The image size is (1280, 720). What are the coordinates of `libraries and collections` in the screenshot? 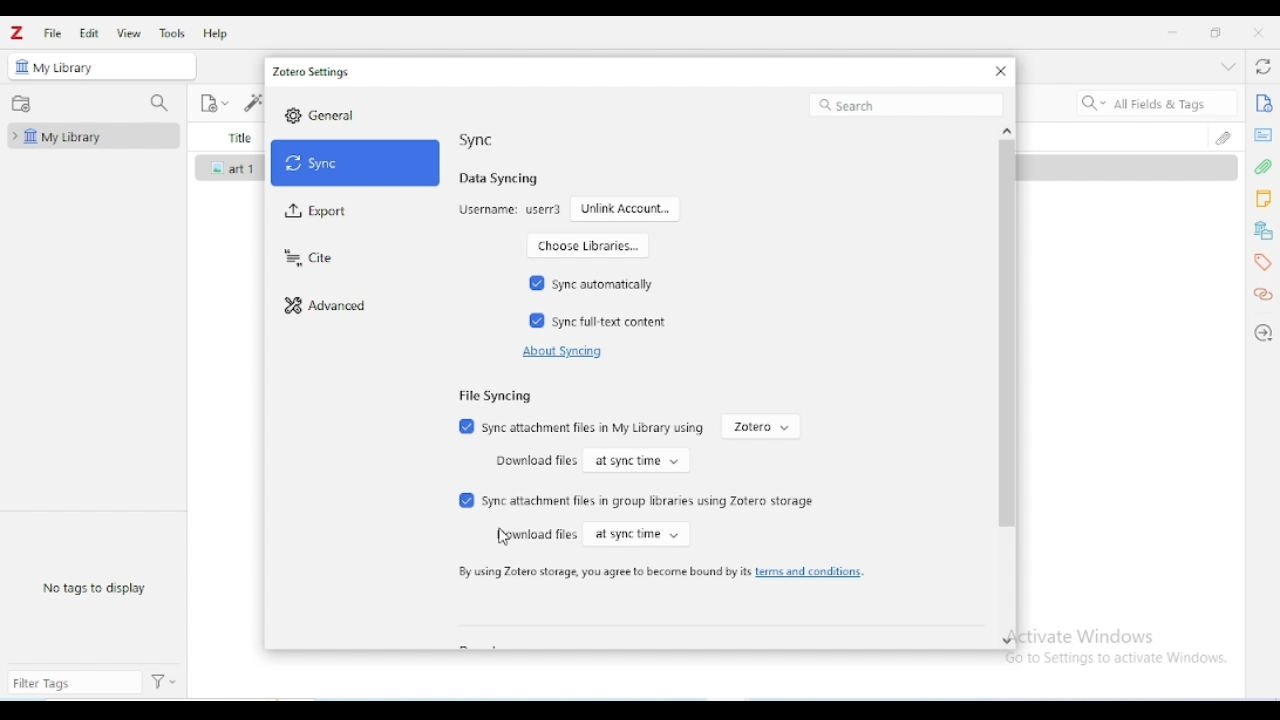 It's located at (1263, 231).